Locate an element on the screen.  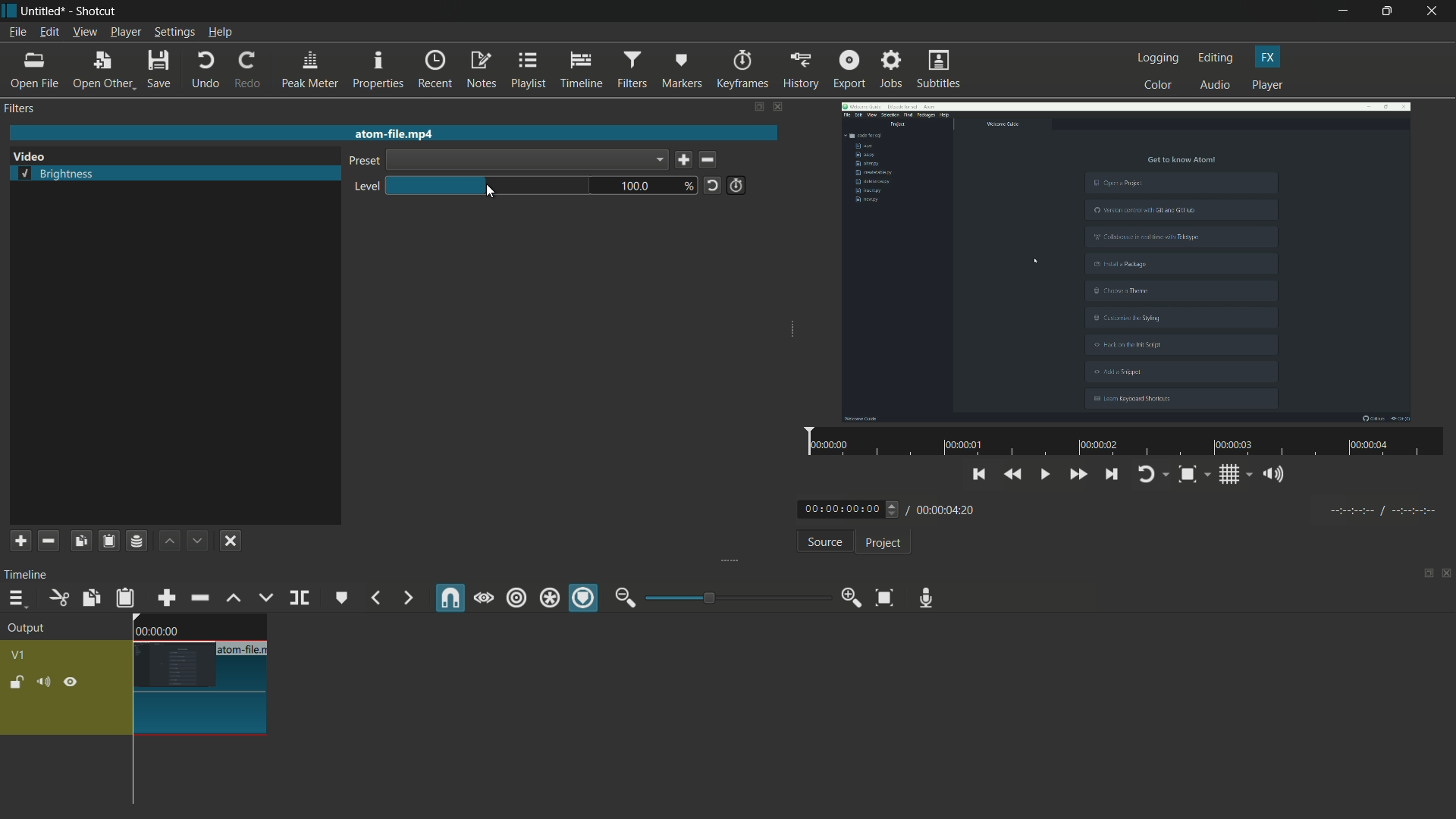
markers is located at coordinates (682, 69).